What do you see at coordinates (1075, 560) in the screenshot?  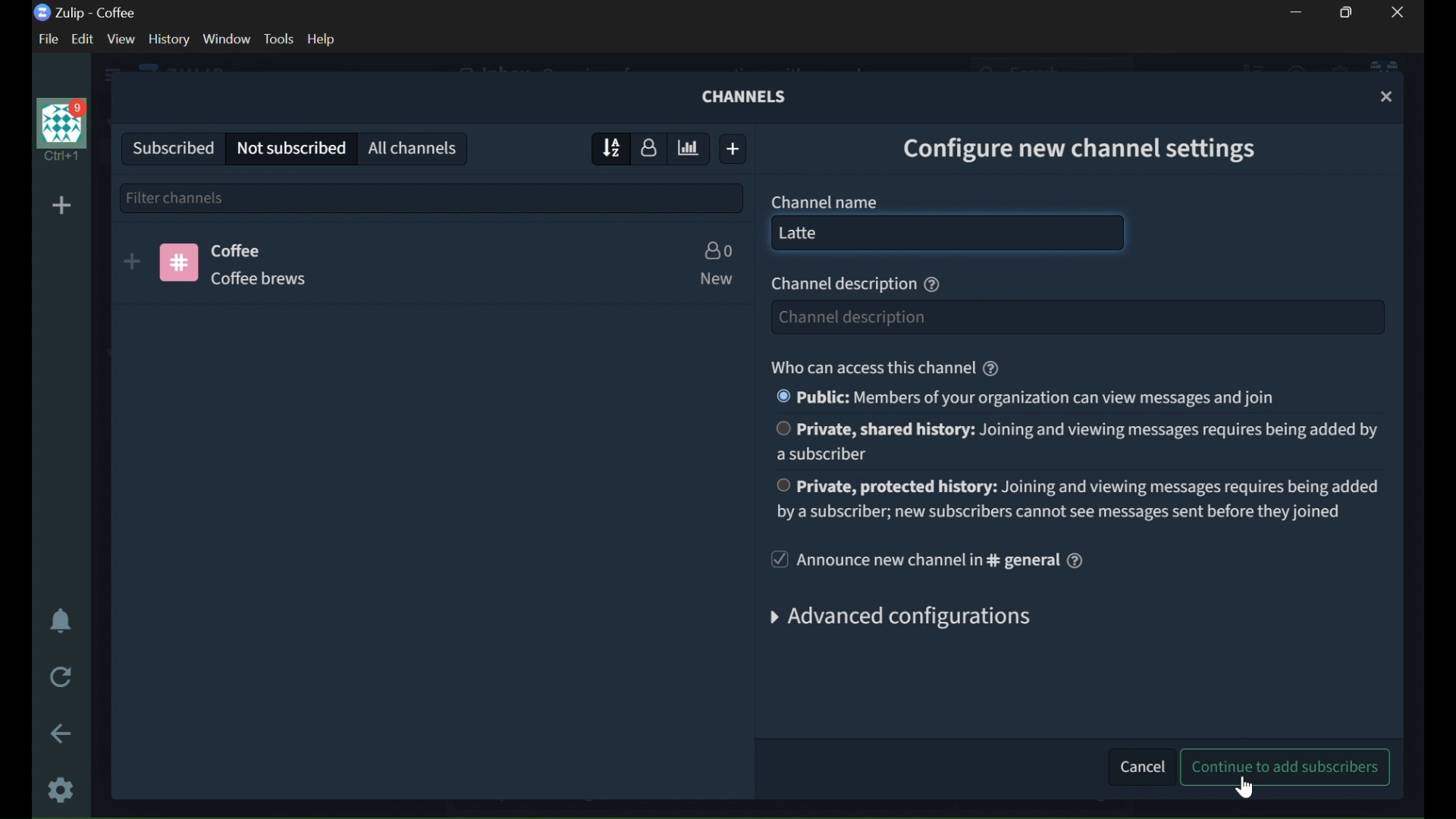 I see `help` at bounding box center [1075, 560].